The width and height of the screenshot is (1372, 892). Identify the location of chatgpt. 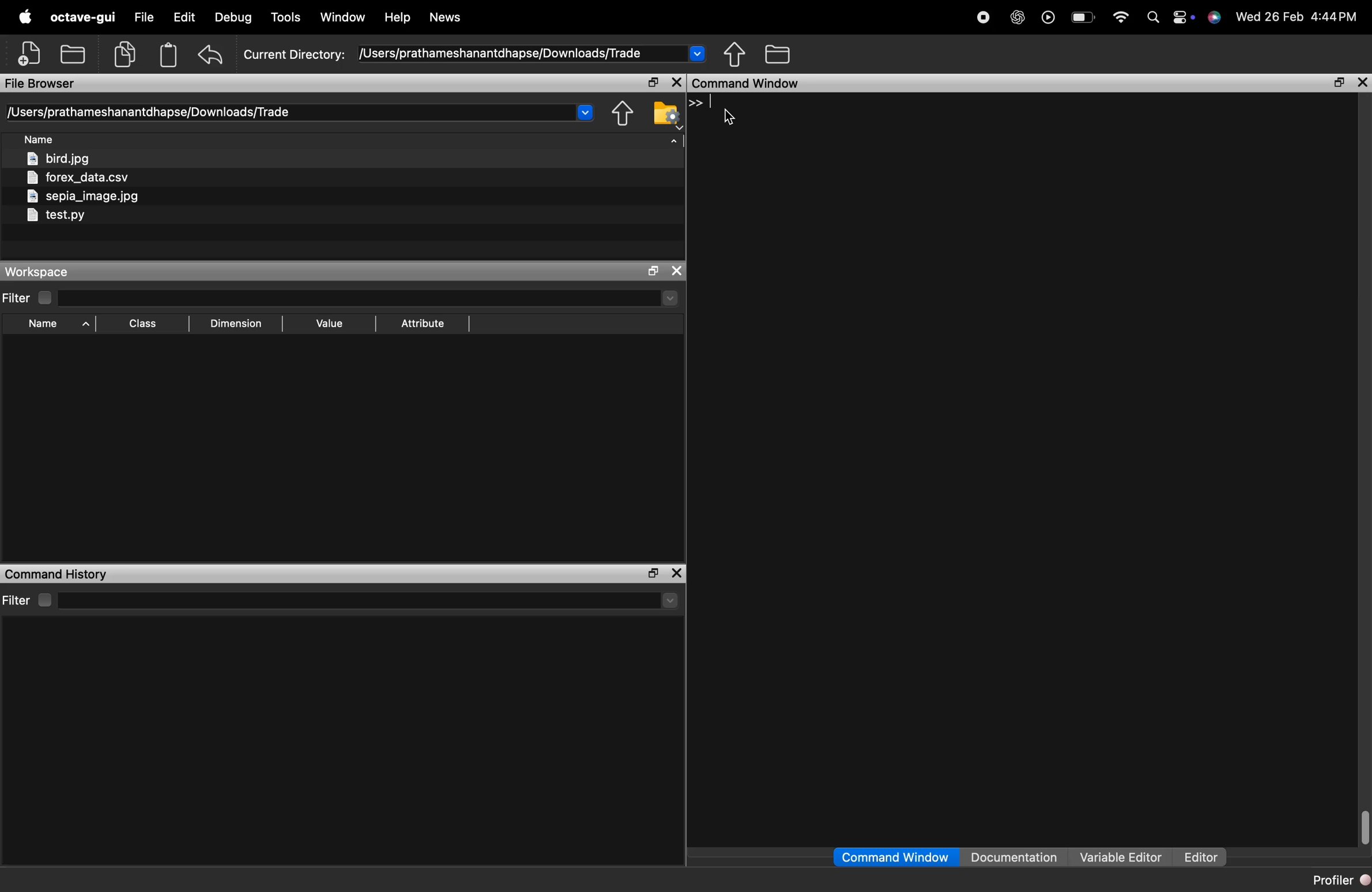
(1018, 19).